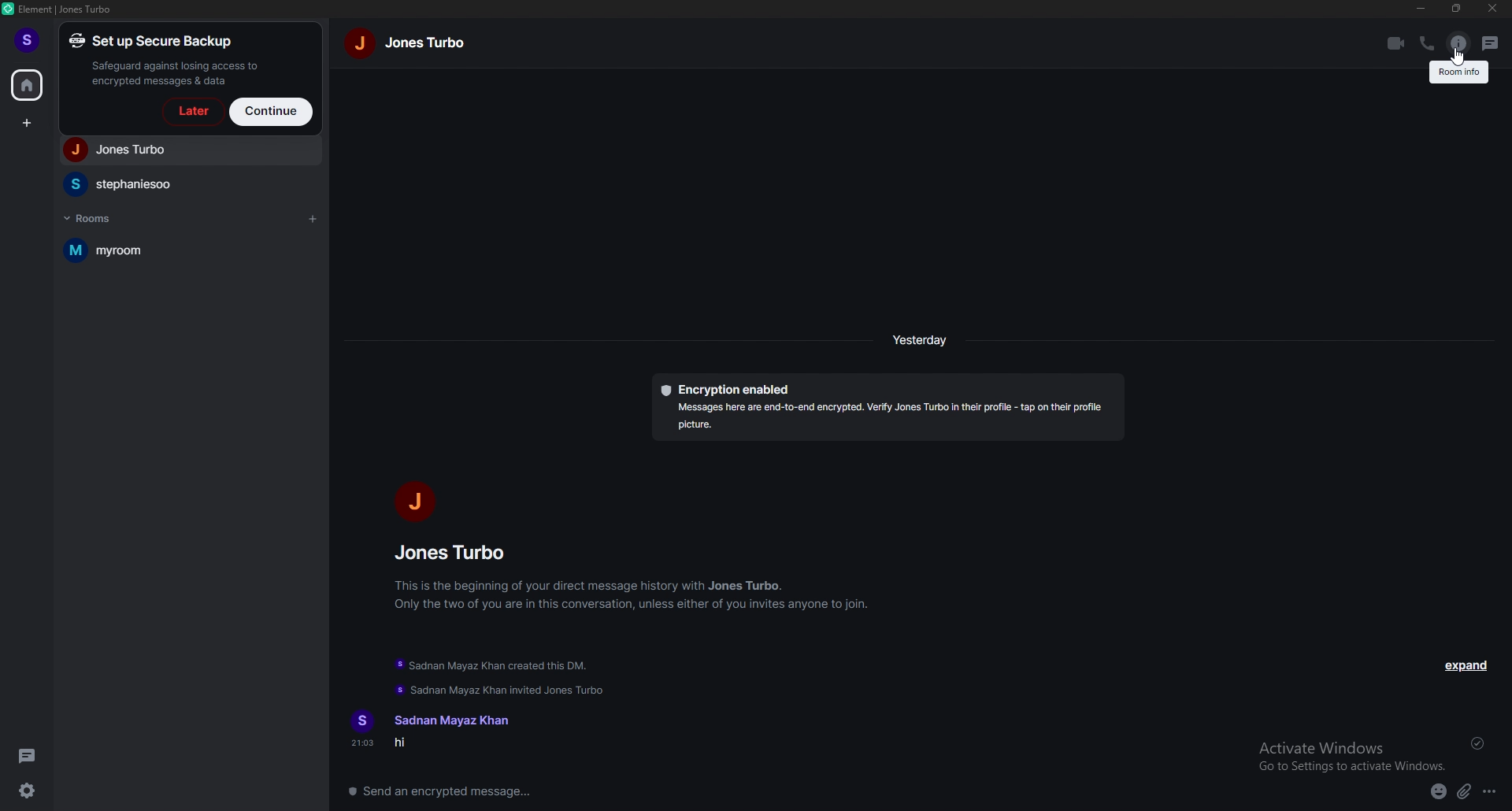 This screenshot has height=811, width=1512. Describe the element at coordinates (444, 745) in the screenshot. I see `message` at that location.